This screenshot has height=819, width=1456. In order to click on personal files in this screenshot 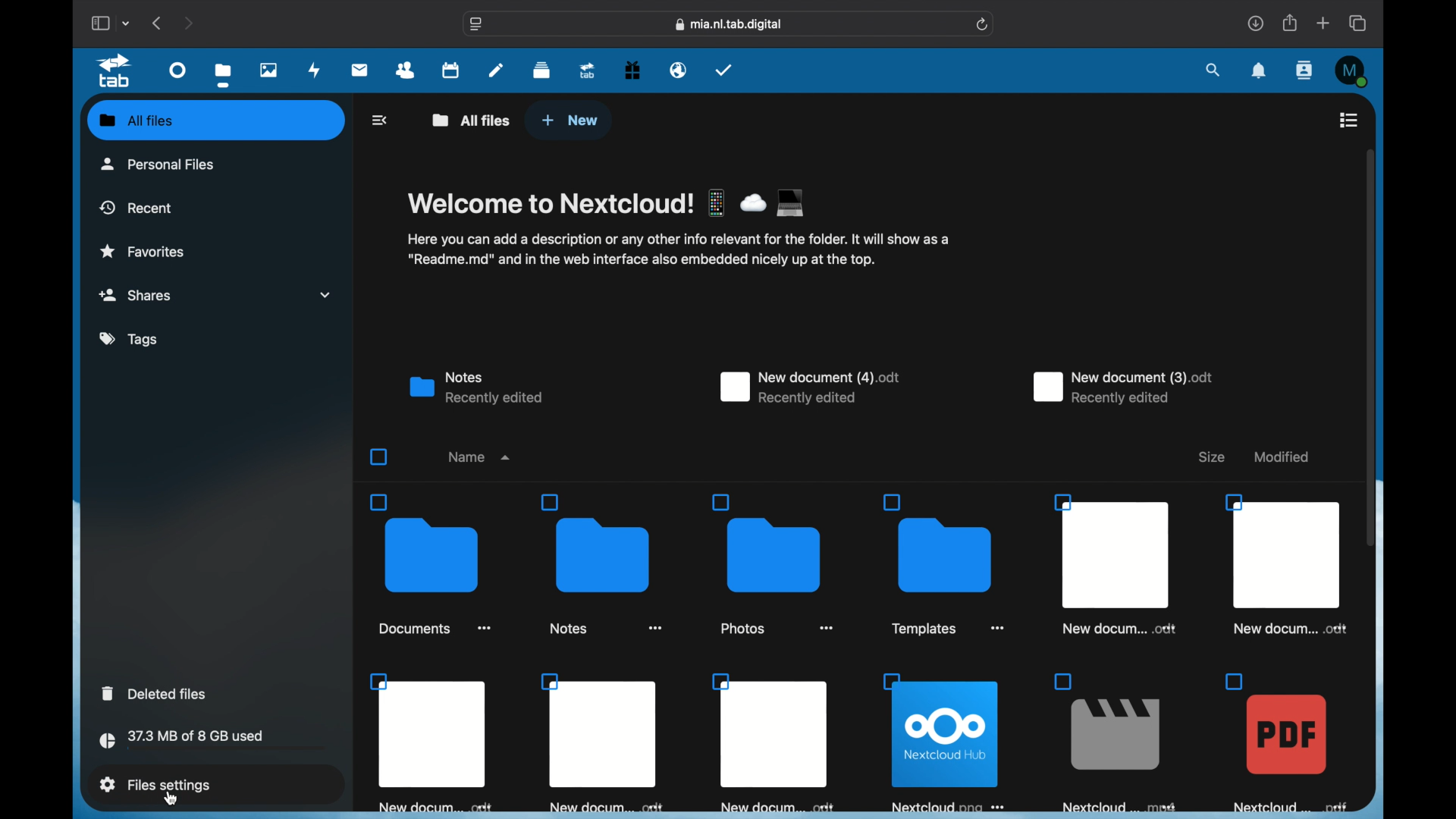, I will do `click(159, 163)`.